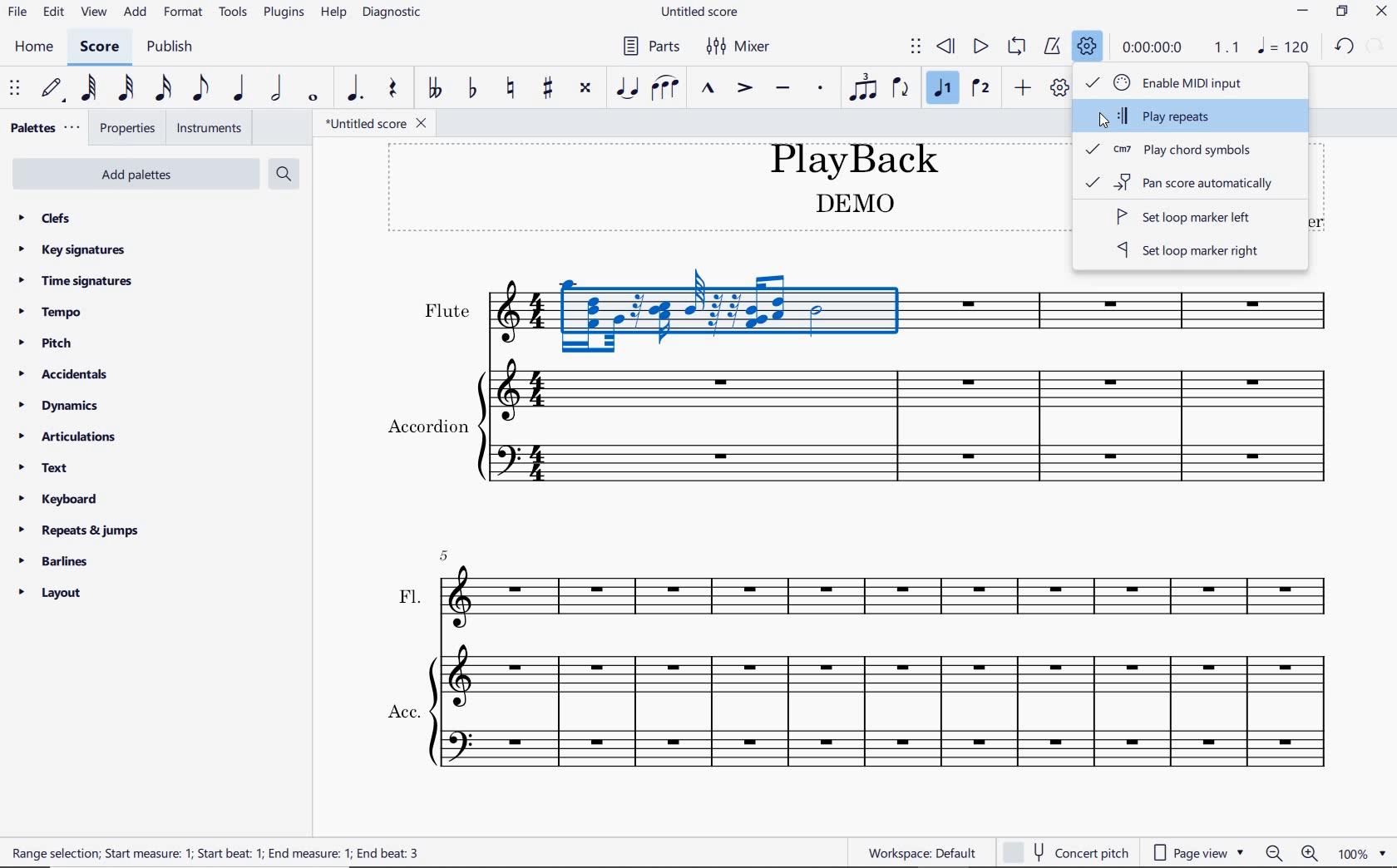  Describe the element at coordinates (59, 499) in the screenshot. I see `keyboard` at that location.